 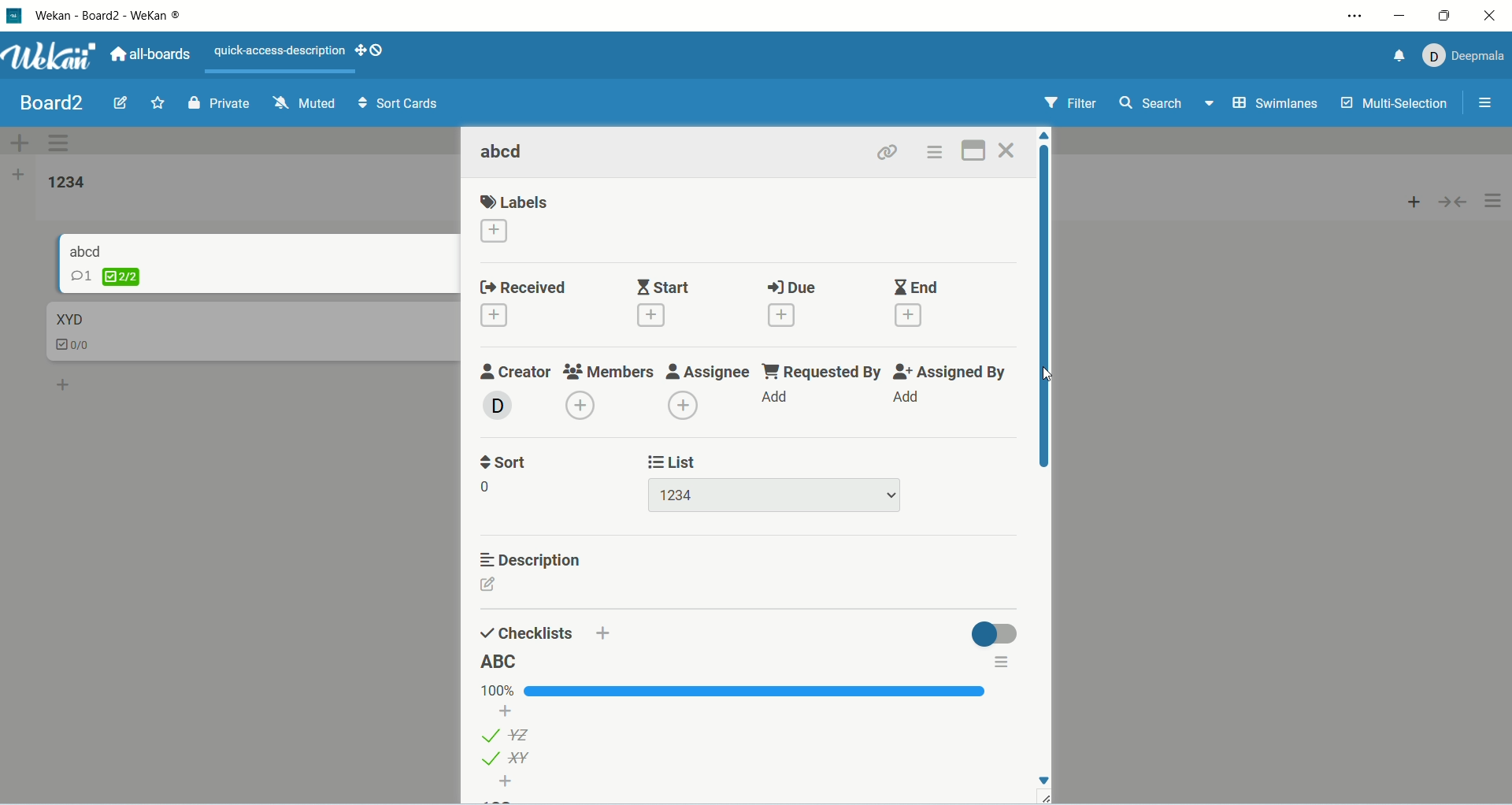 I want to click on add, so click(x=651, y=315).